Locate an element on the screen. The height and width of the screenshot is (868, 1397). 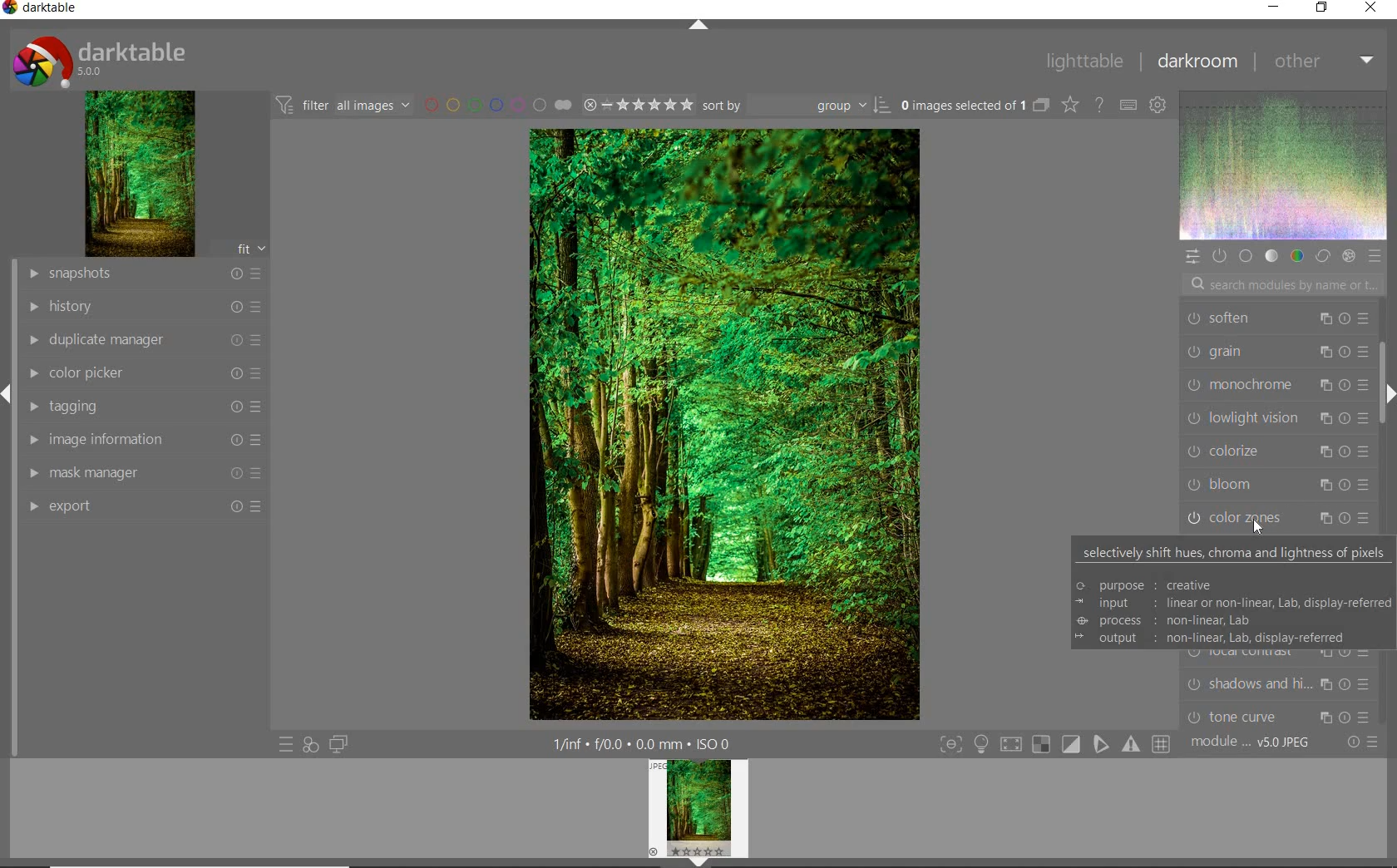
MINIMIZE is located at coordinates (1275, 7).